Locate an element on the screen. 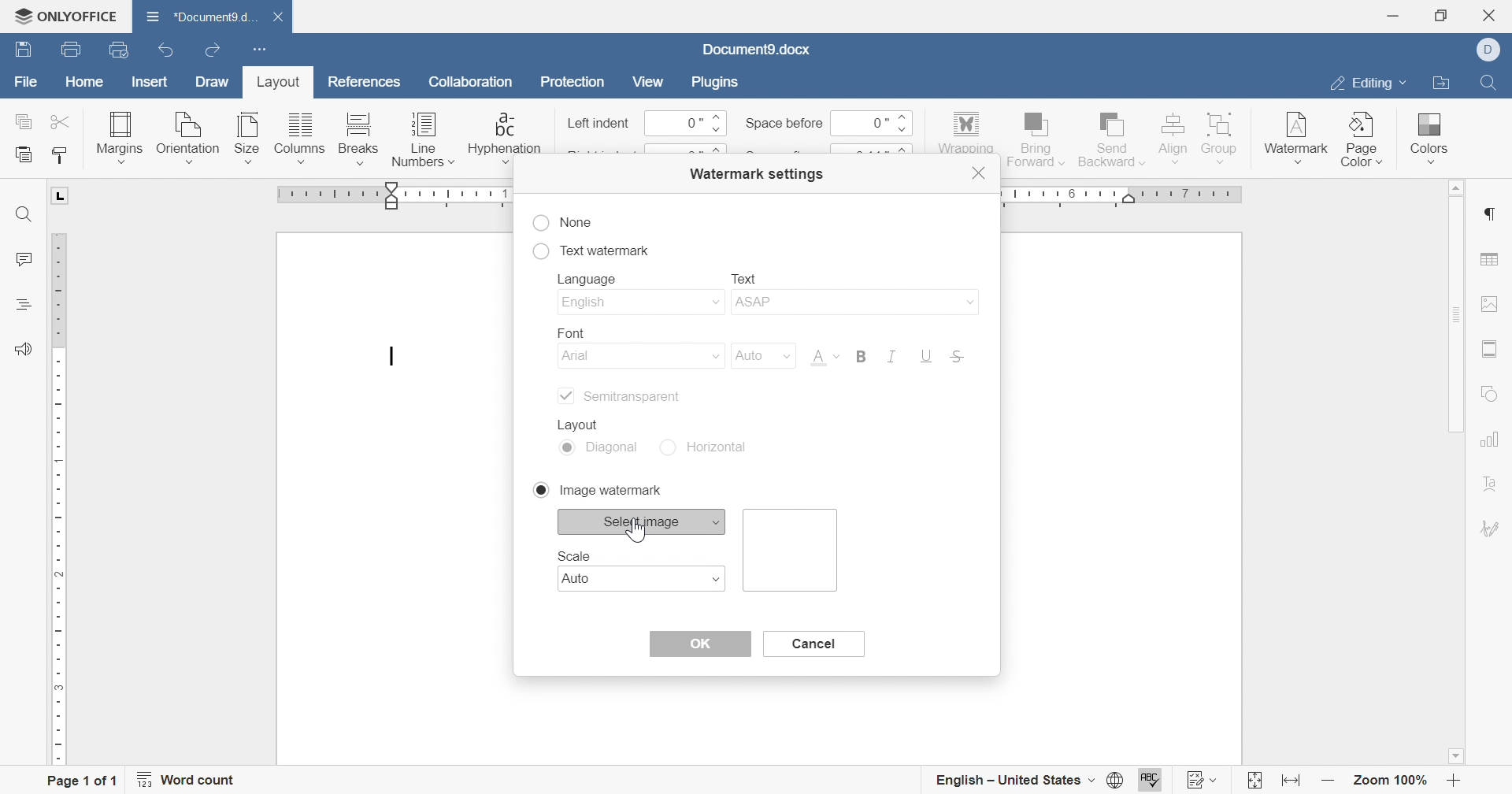 The height and width of the screenshot is (794, 1512). columns is located at coordinates (300, 139).